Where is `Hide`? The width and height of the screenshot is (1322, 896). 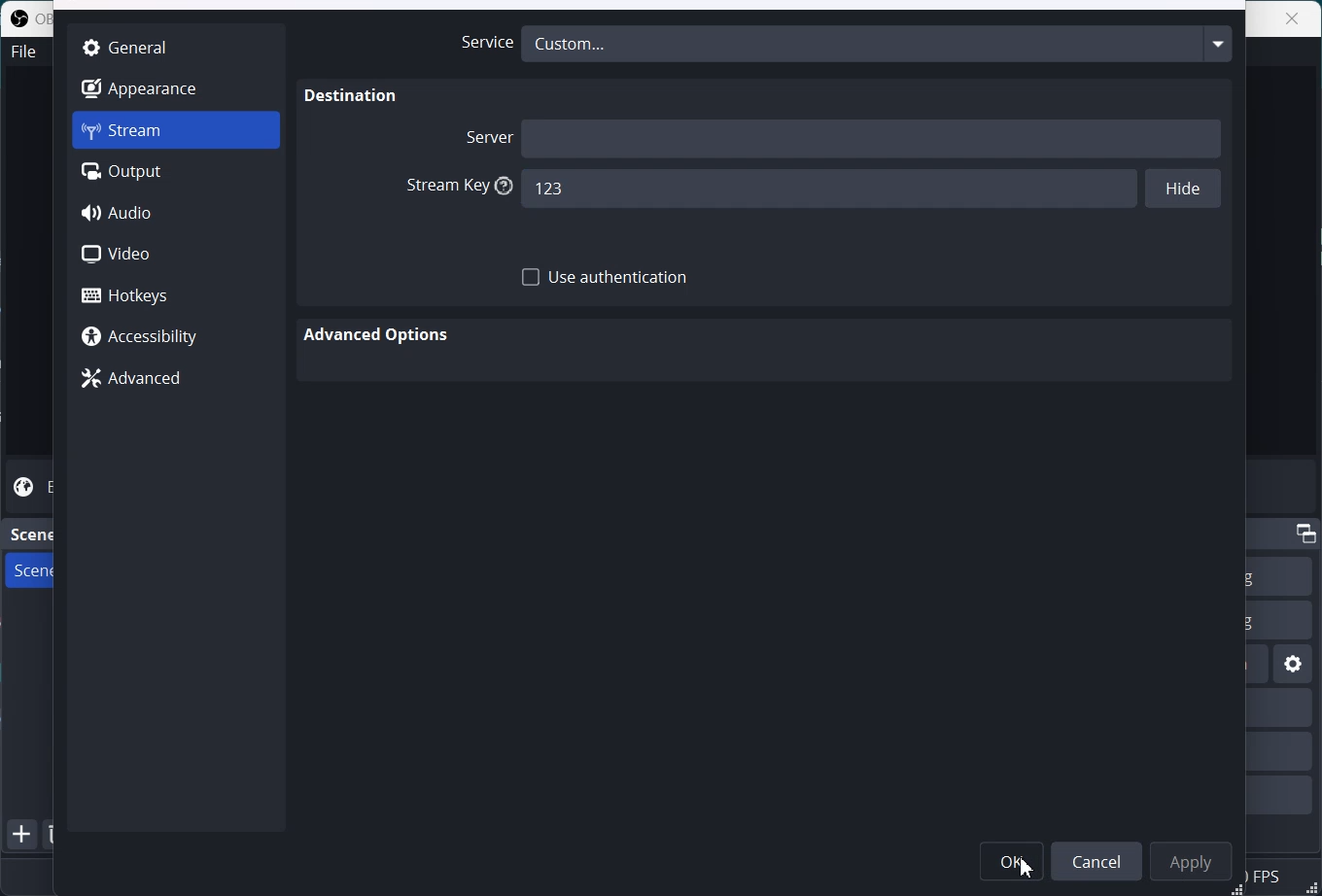 Hide is located at coordinates (1181, 190).